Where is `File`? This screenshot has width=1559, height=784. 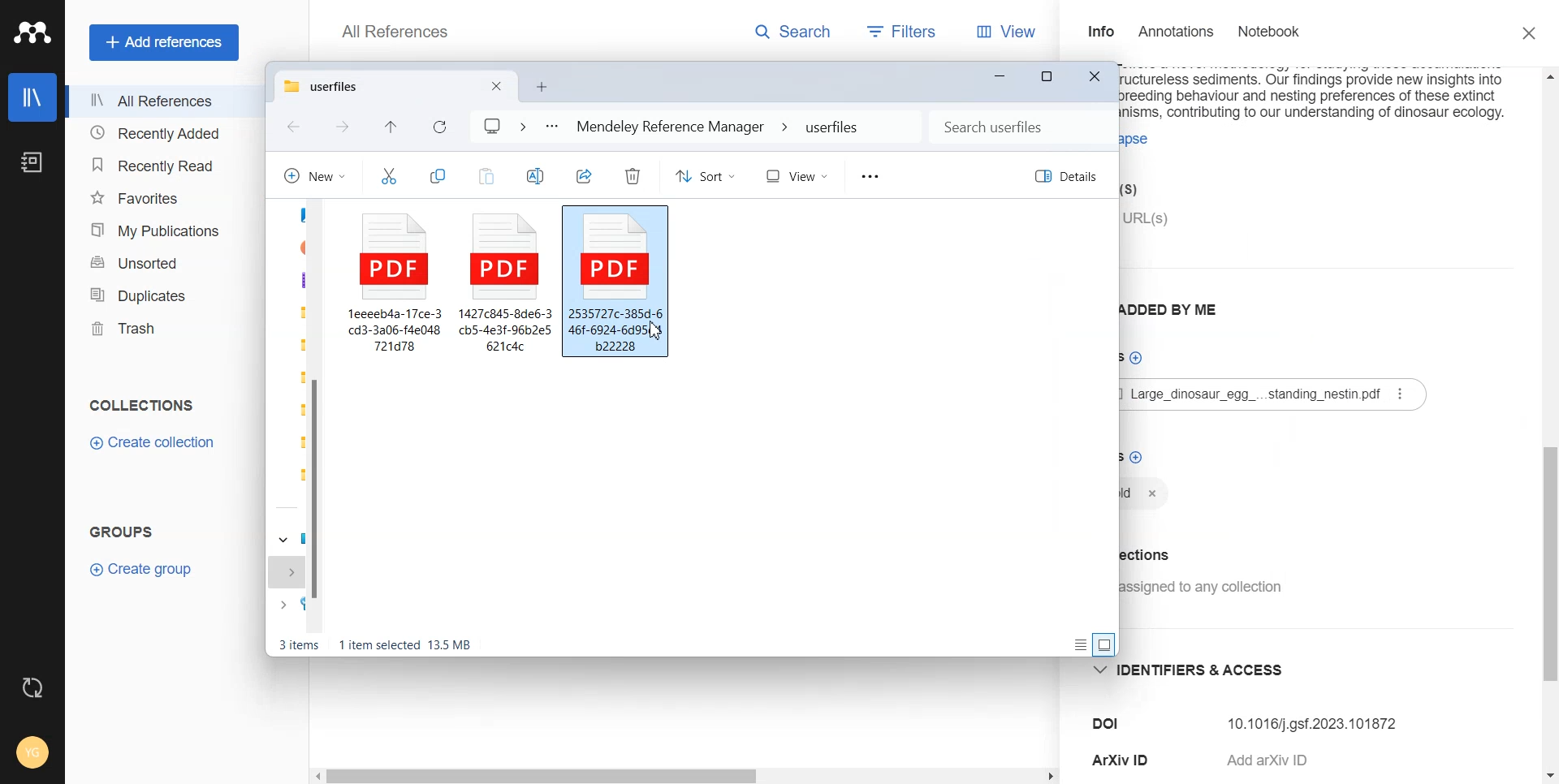 File is located at coordinates (623, 280).